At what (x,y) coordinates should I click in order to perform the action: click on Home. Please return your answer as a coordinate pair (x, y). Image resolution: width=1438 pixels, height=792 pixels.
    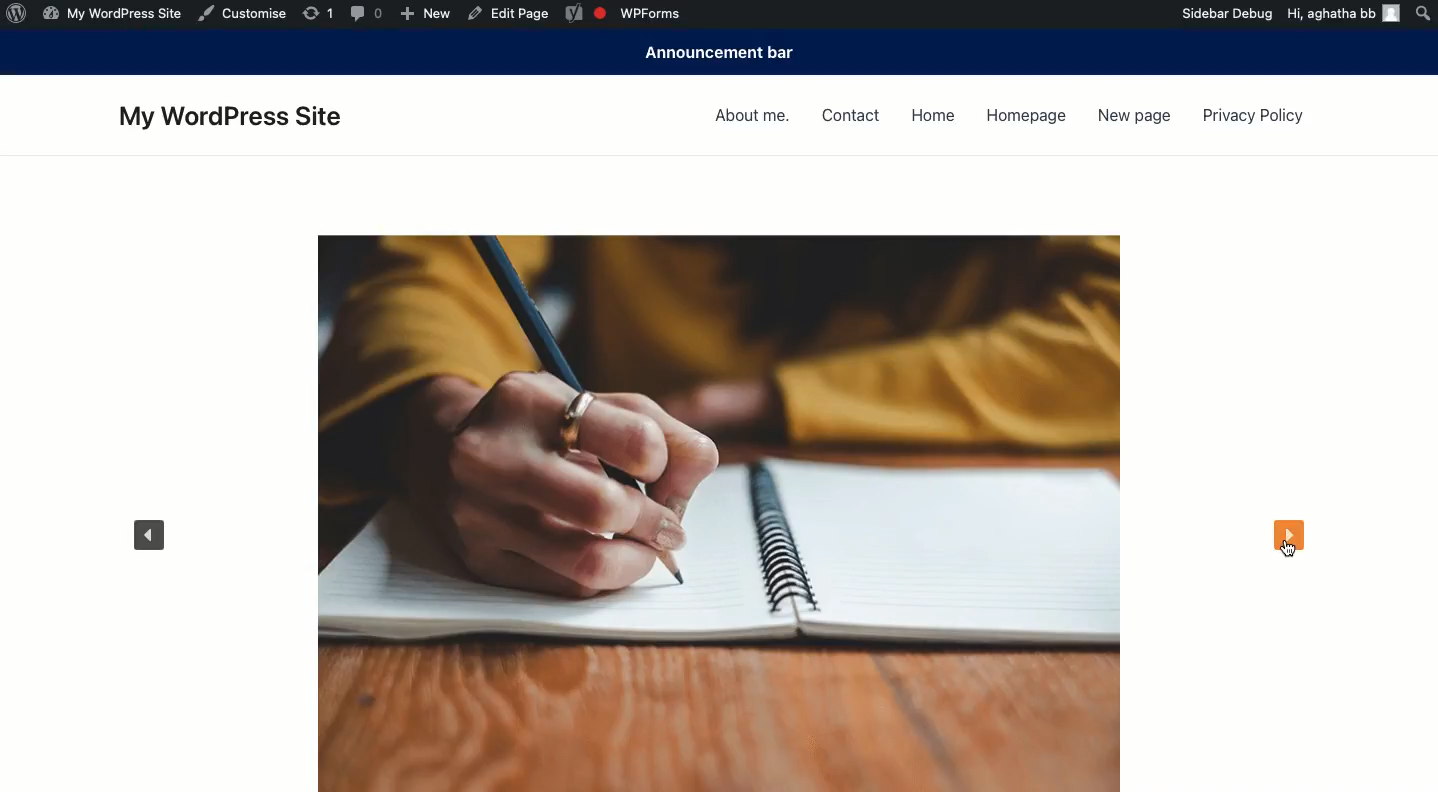
    Looking at the image, I should click on (932, 116).